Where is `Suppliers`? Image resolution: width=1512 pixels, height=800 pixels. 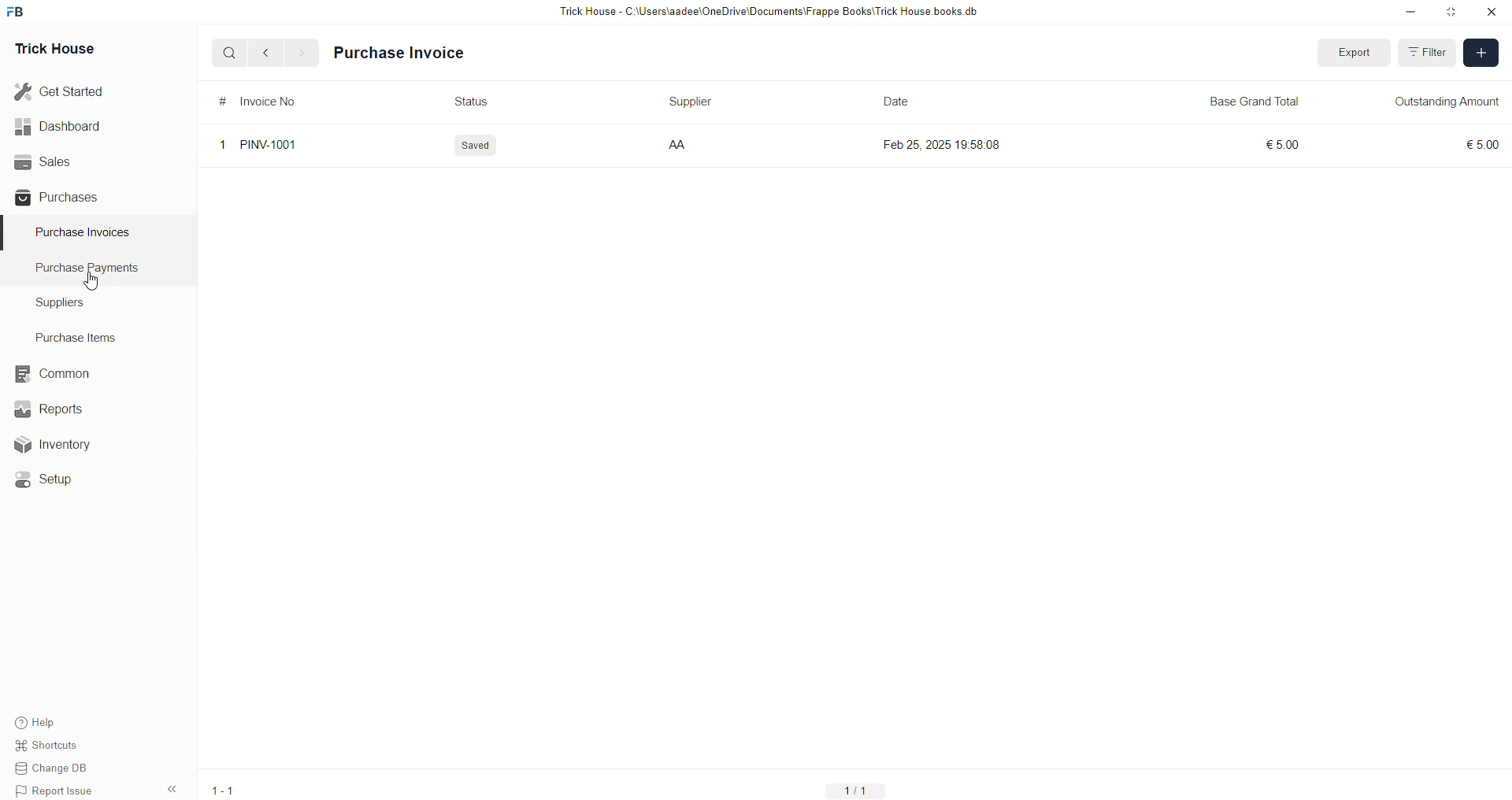 Suppliers is located at coordinates (54, 302).